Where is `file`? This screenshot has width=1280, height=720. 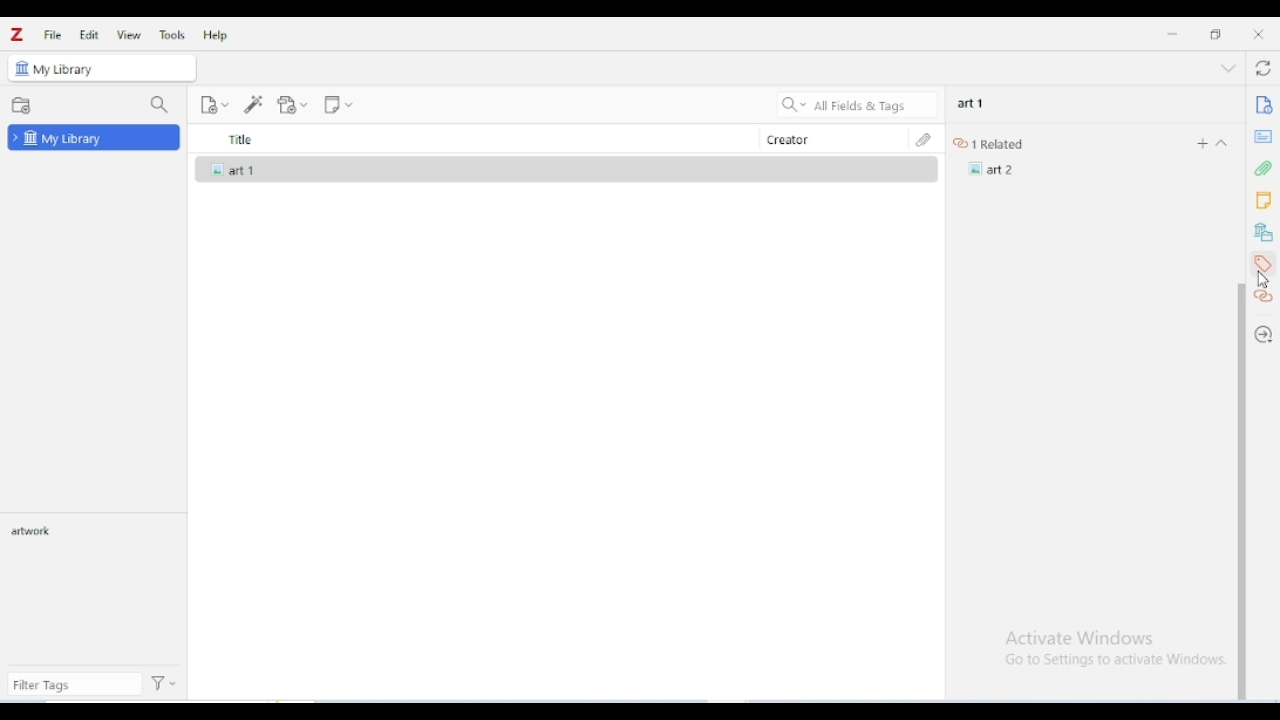 file is located at coordinates (53, 36).